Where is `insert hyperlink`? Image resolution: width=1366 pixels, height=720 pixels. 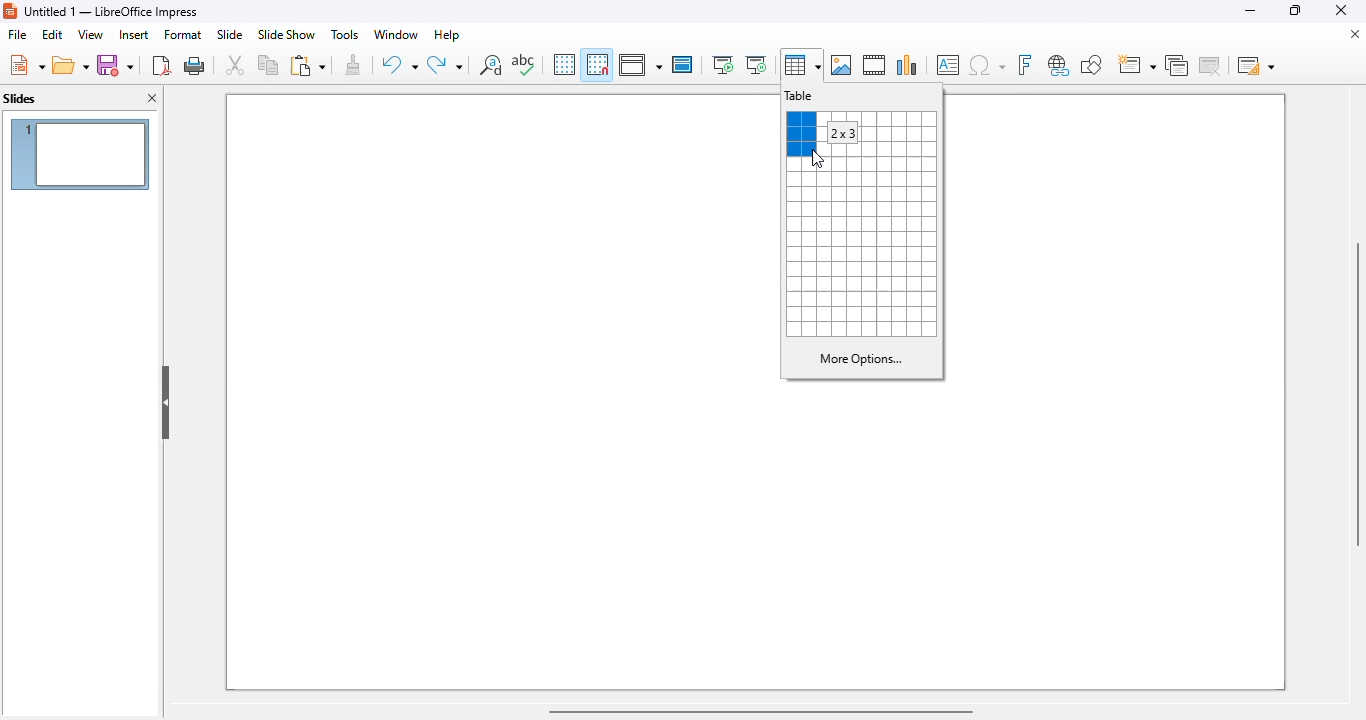
insert hyperlink is located at coordinates (1060, 65).